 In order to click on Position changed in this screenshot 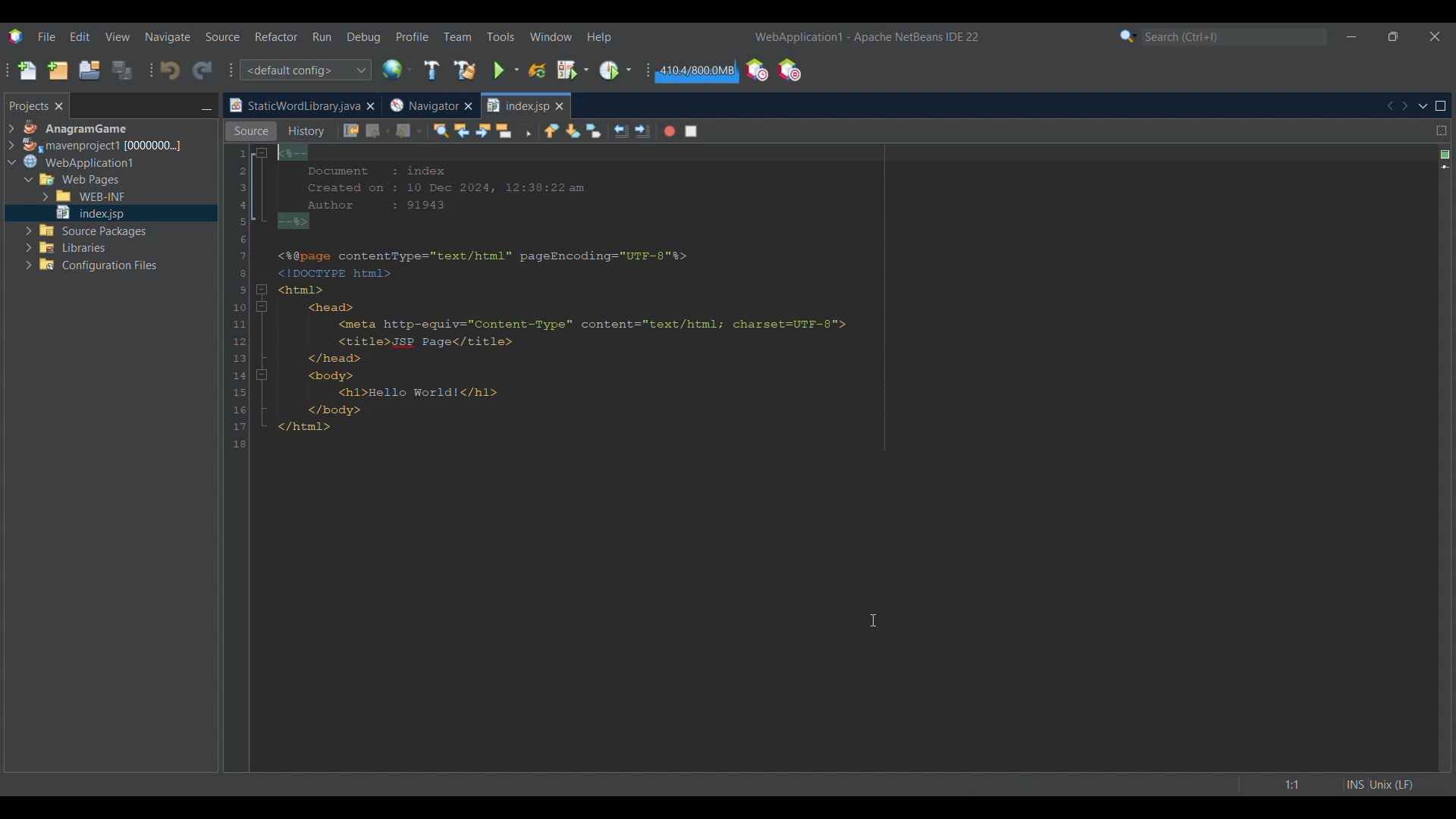, I will do `click(1446, 167)`.